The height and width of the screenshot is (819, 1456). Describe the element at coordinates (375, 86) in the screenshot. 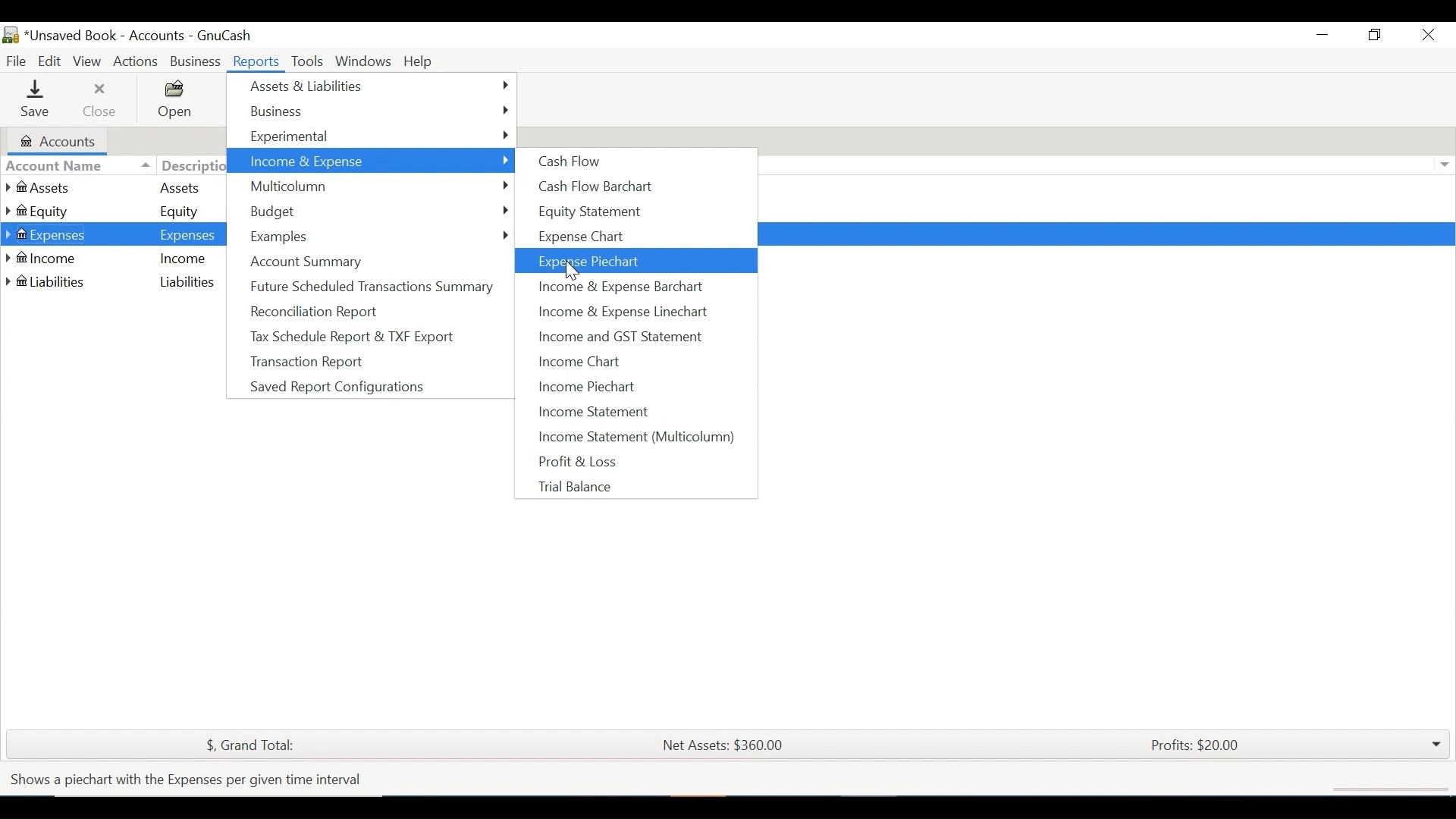

I see `Assets & Liabilities` at that location.